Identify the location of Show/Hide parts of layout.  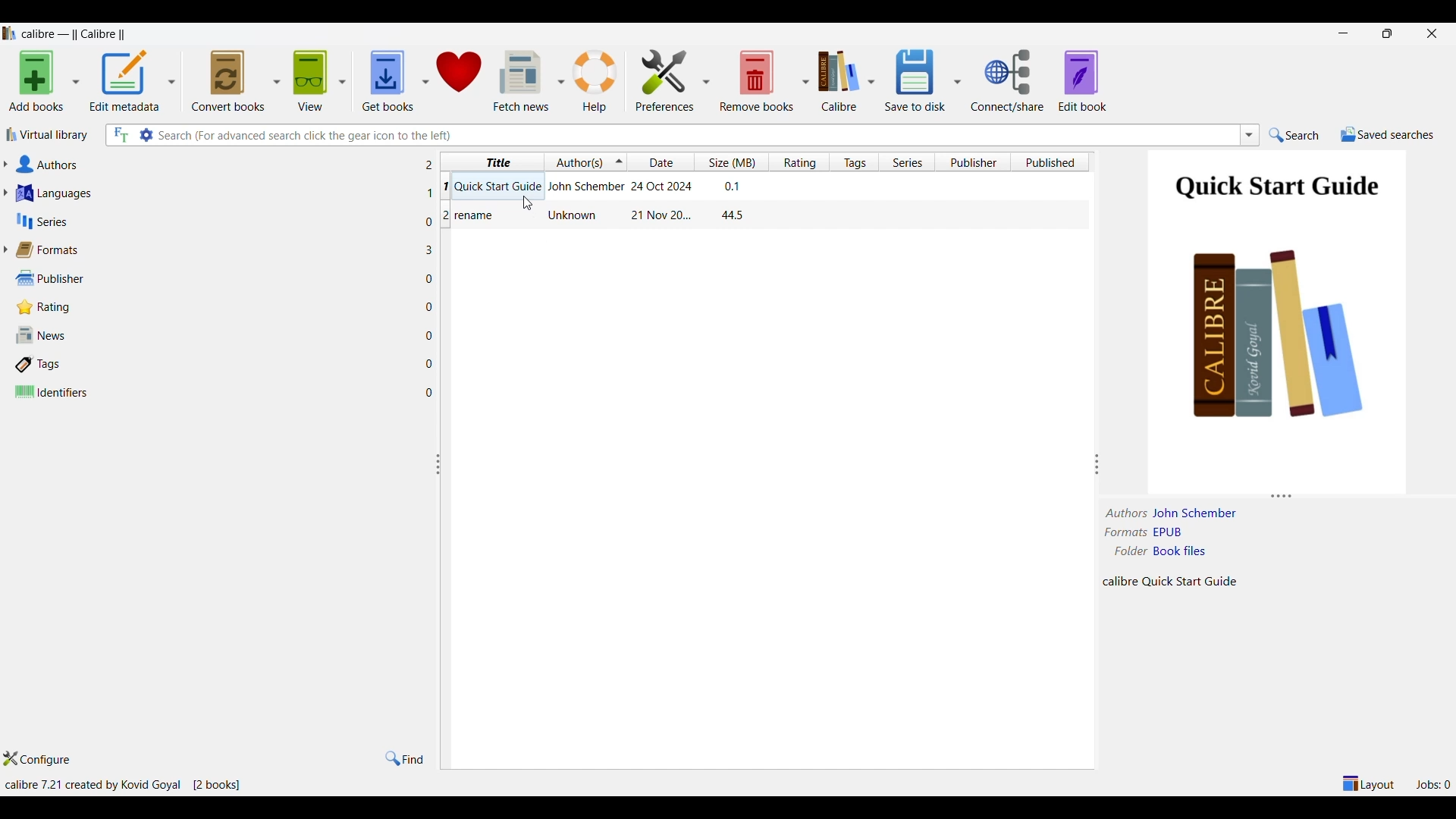
(1367, 783).